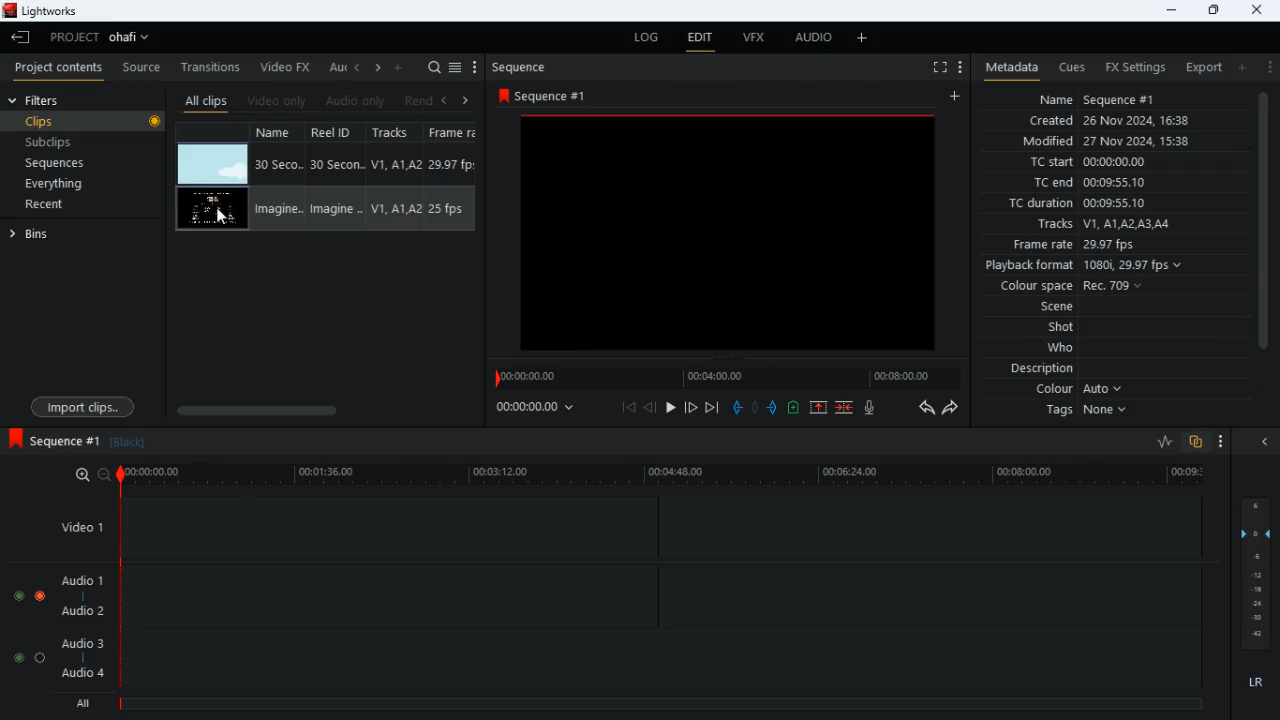  Describe the element at coordinates (655, 703) in the screenshot. I see `timeline` at that location.